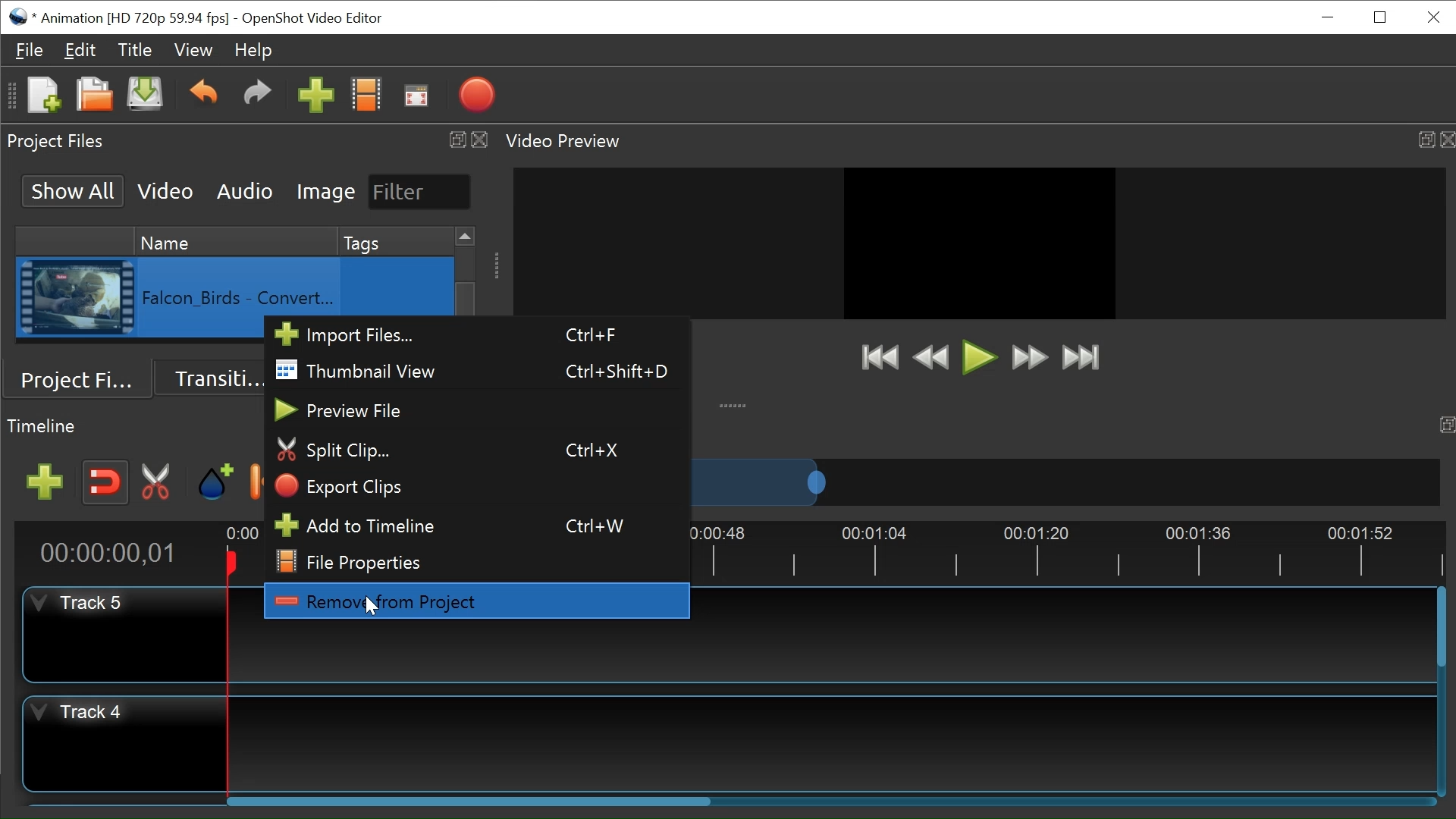 This screenshot has width=1456, height=819. I want to click on Fullscreen, so click(418, 96).